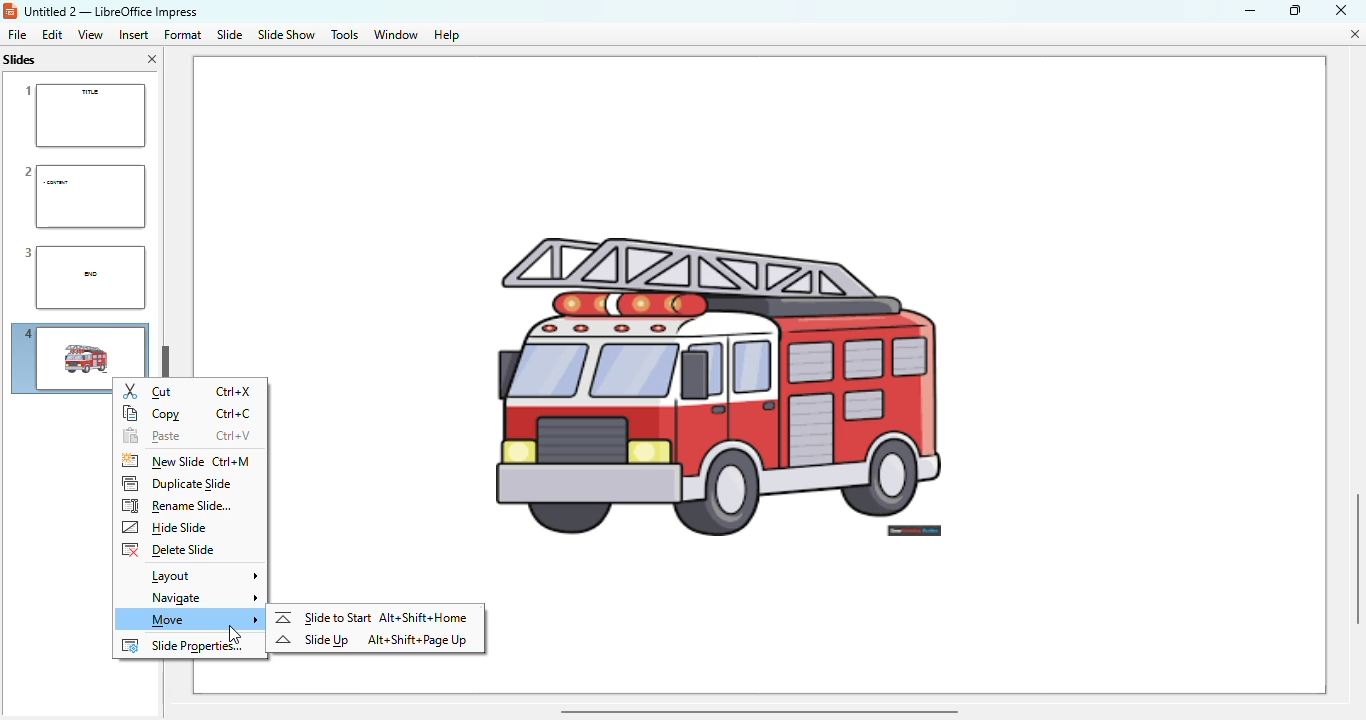 The width and height of the screenshot is (1366, 720). I want to click on vertical scroll bar, so click(1351, 556).